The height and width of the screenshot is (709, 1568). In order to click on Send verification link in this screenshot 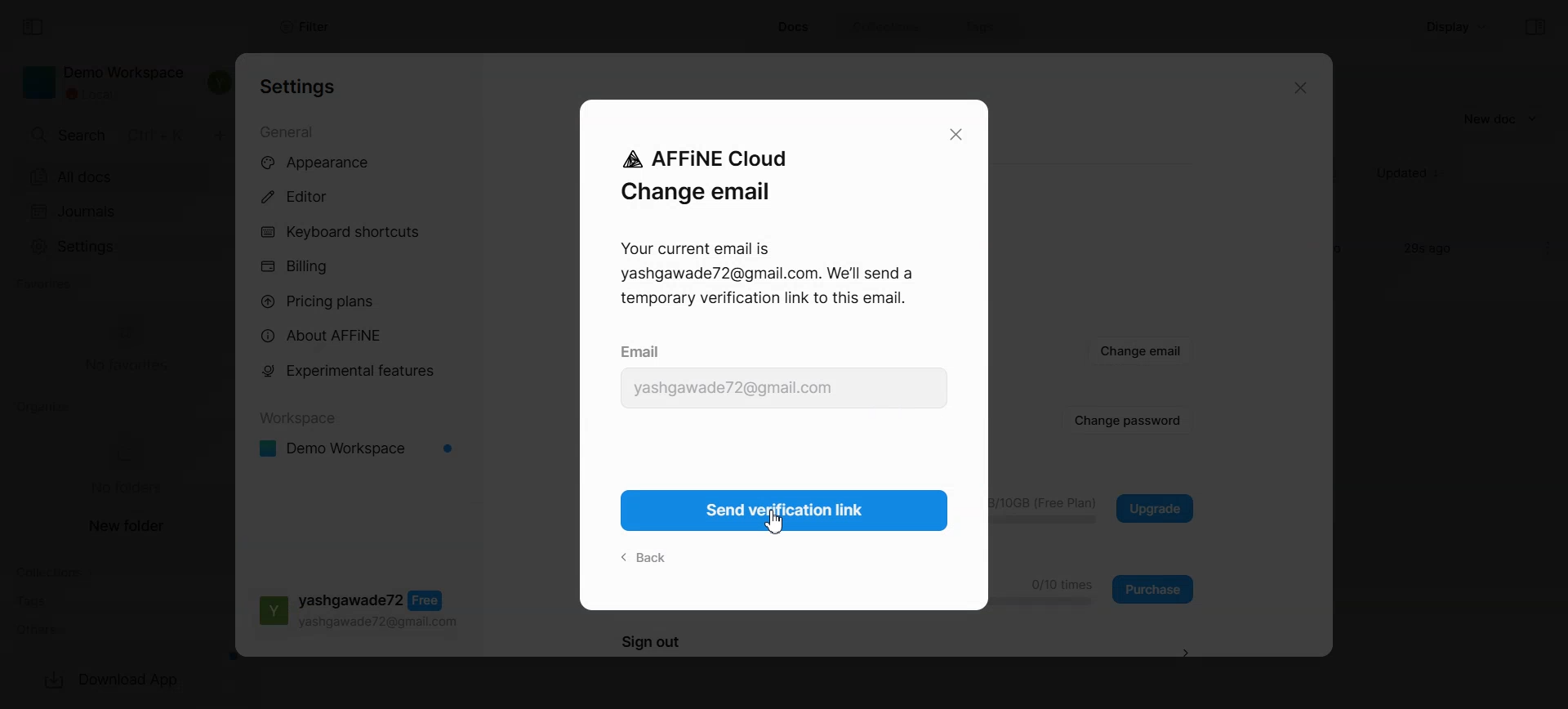, I will do `click(790, 511)`.